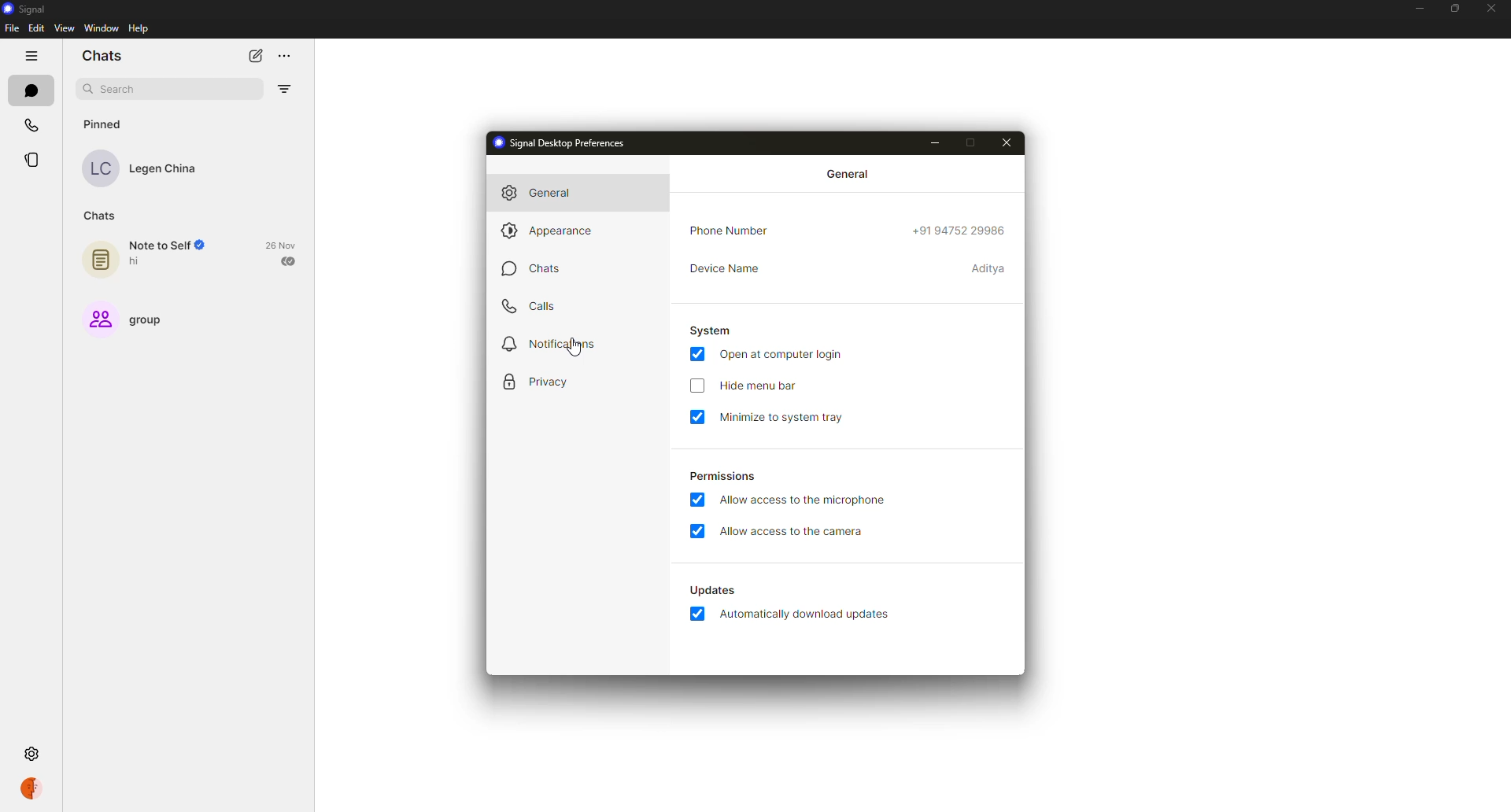 The width and height of the screenshot is (1511, 812). What do you see at coordinates (535, 268) in the screenshot?
I see `chats` at bounding box center [535, 268].